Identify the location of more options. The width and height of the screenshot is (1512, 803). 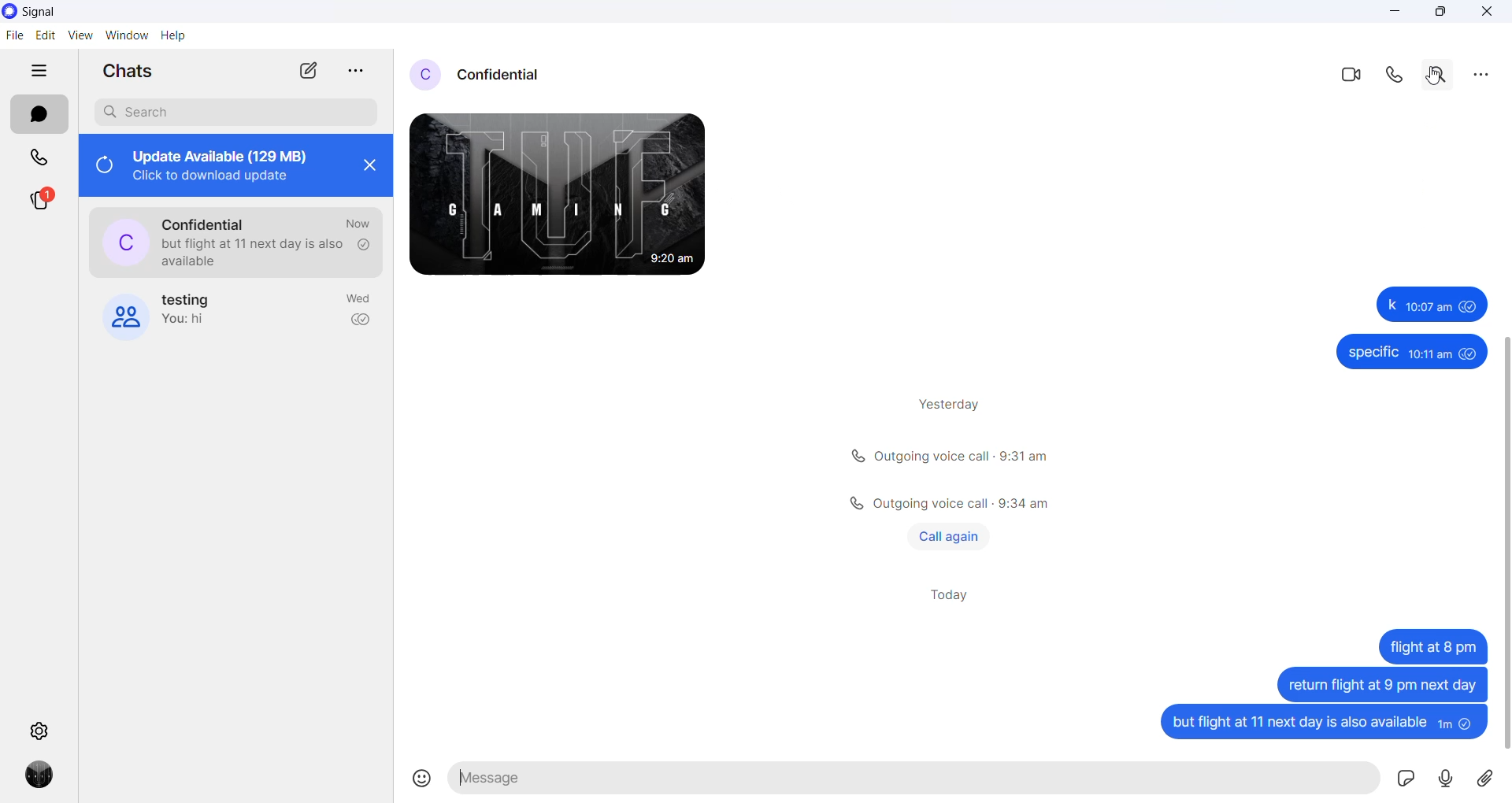
(1481, 72).